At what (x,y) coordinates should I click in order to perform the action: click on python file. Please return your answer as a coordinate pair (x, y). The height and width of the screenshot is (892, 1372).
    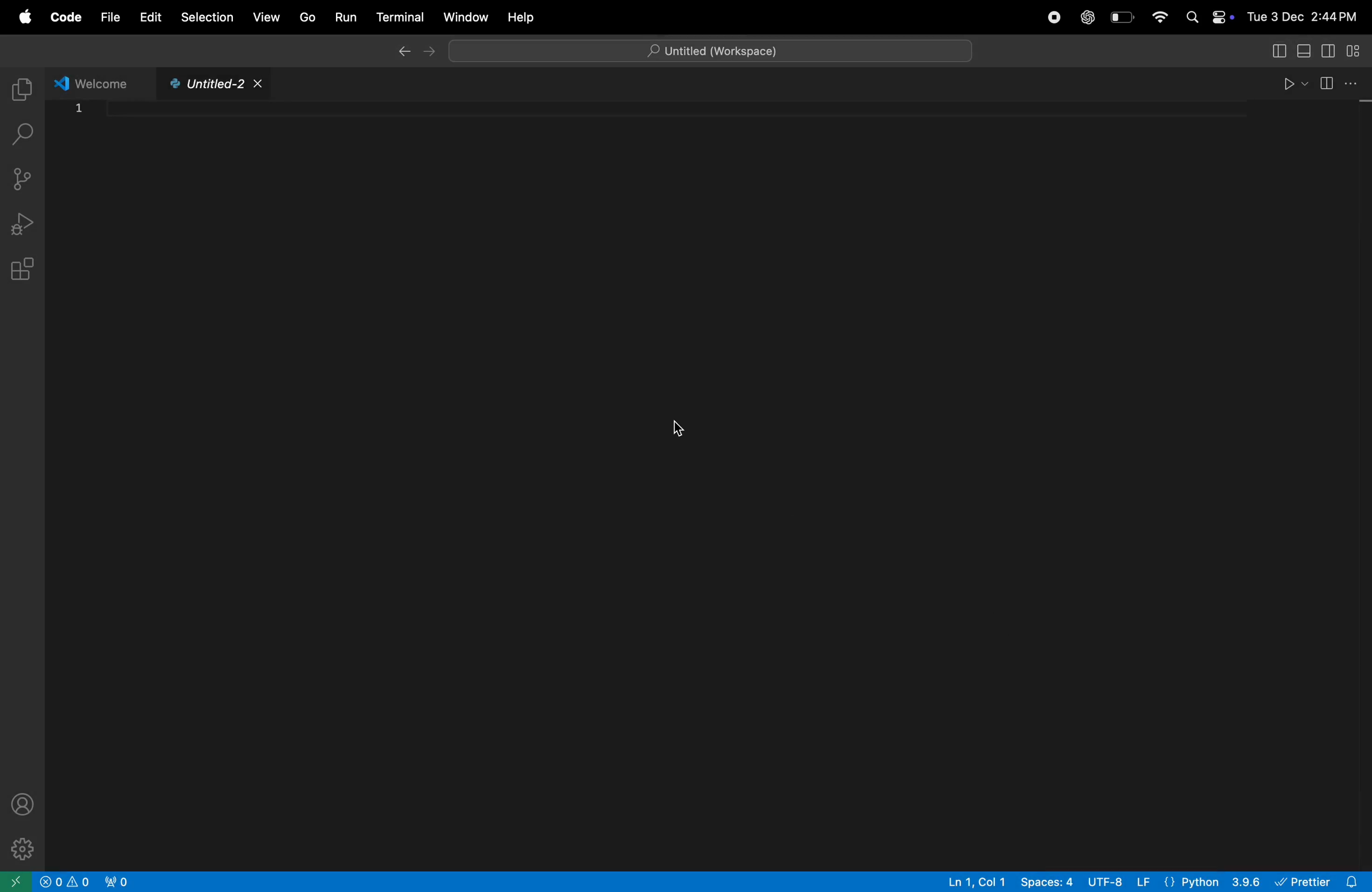
    Looking at the image, I should click on (210, 85).